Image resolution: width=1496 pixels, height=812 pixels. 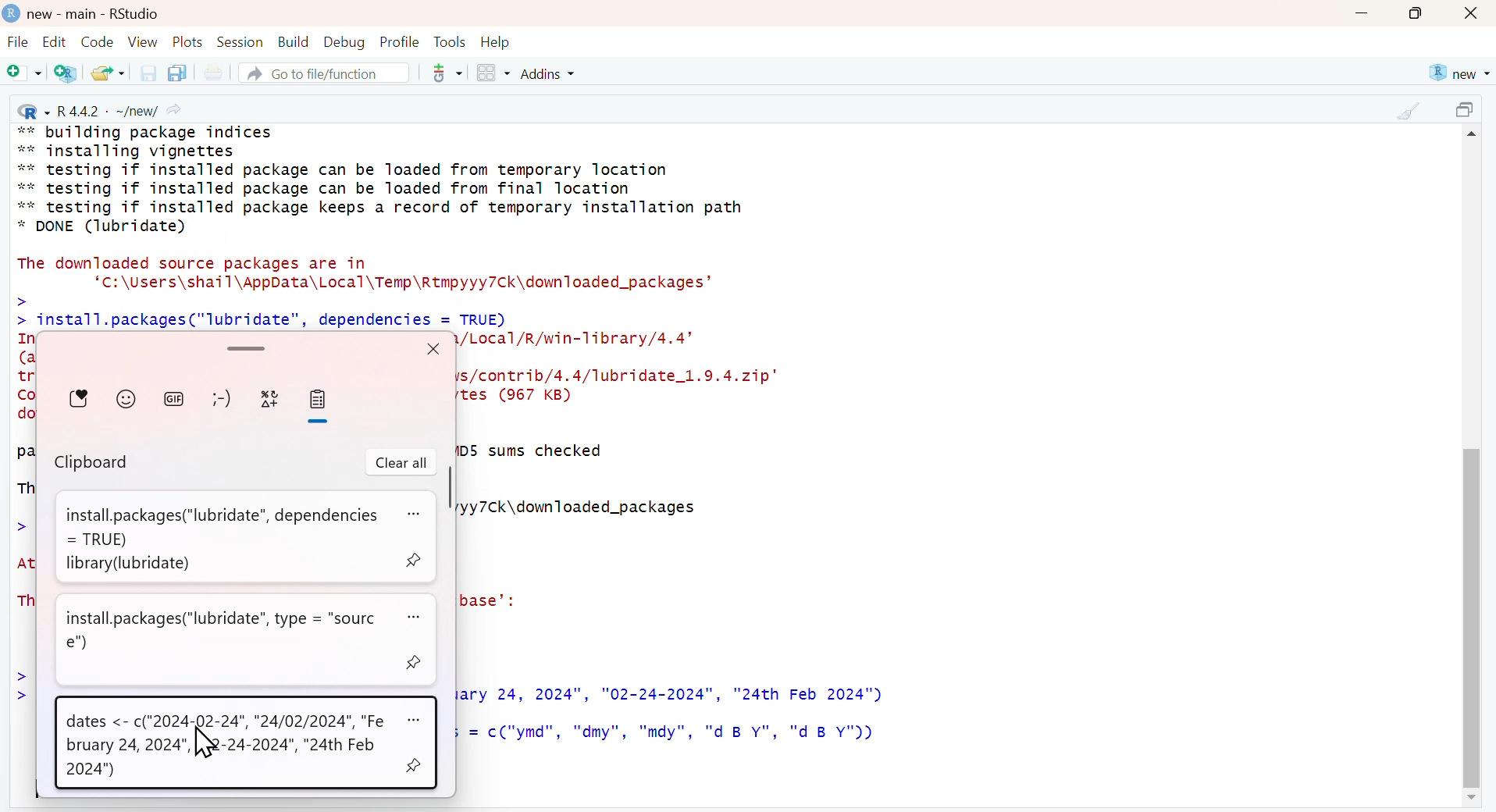 I want to click on maximize, so click(x=1468, y=112).